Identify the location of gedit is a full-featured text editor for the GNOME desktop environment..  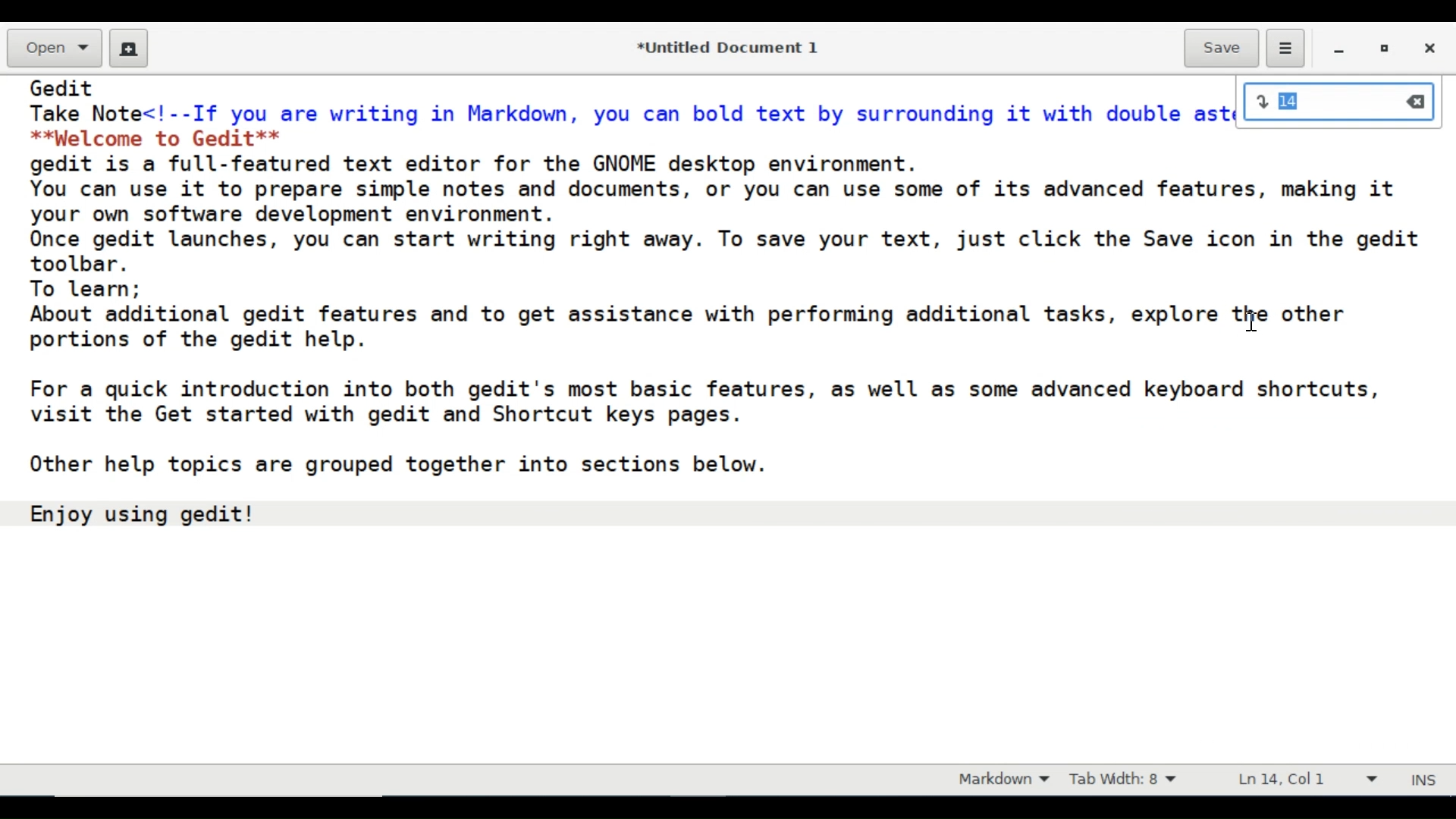
(485, 162).